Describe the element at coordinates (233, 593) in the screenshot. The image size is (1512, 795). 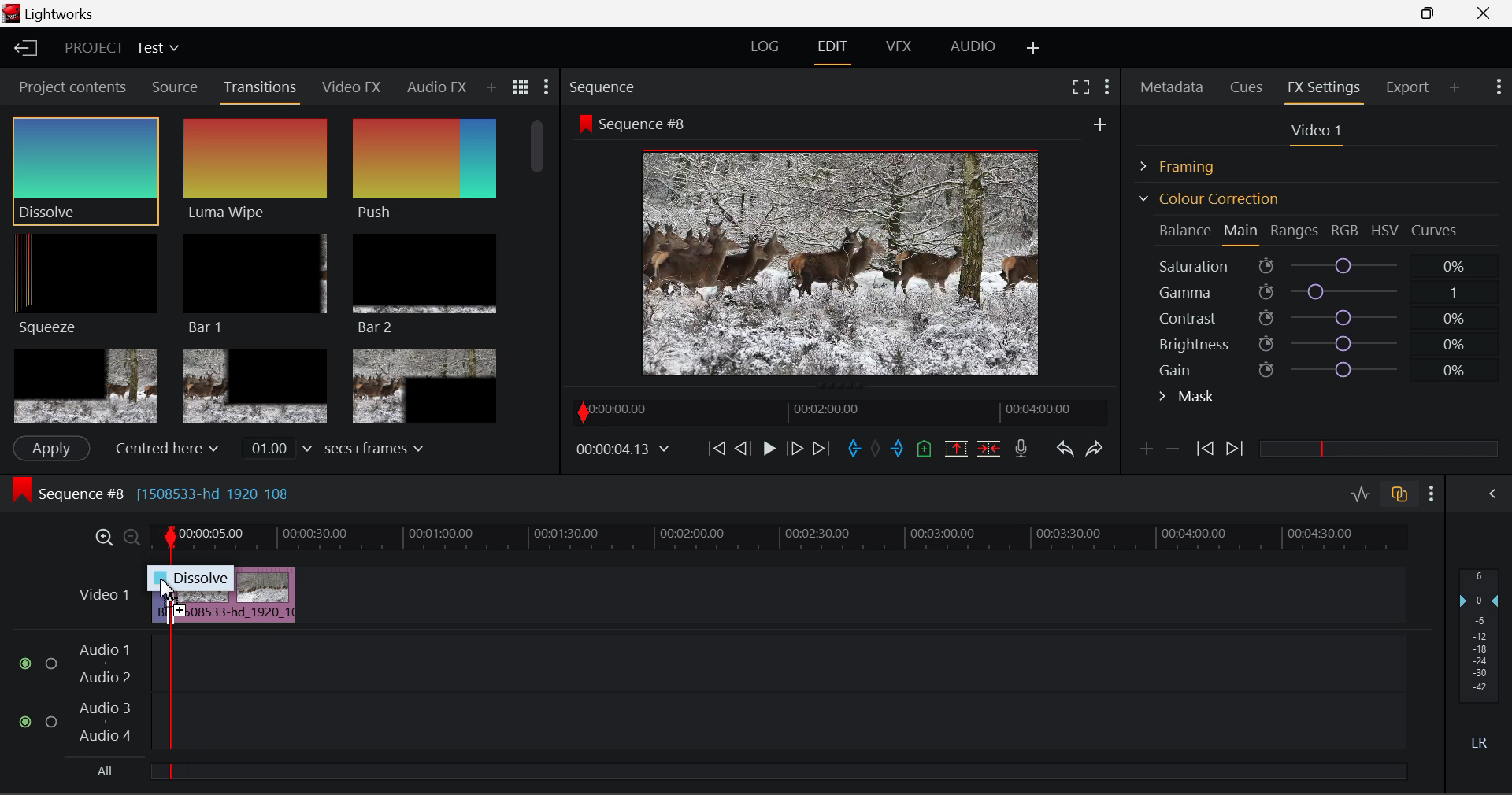
I see `Clip Inserted to Timeline` at that location.